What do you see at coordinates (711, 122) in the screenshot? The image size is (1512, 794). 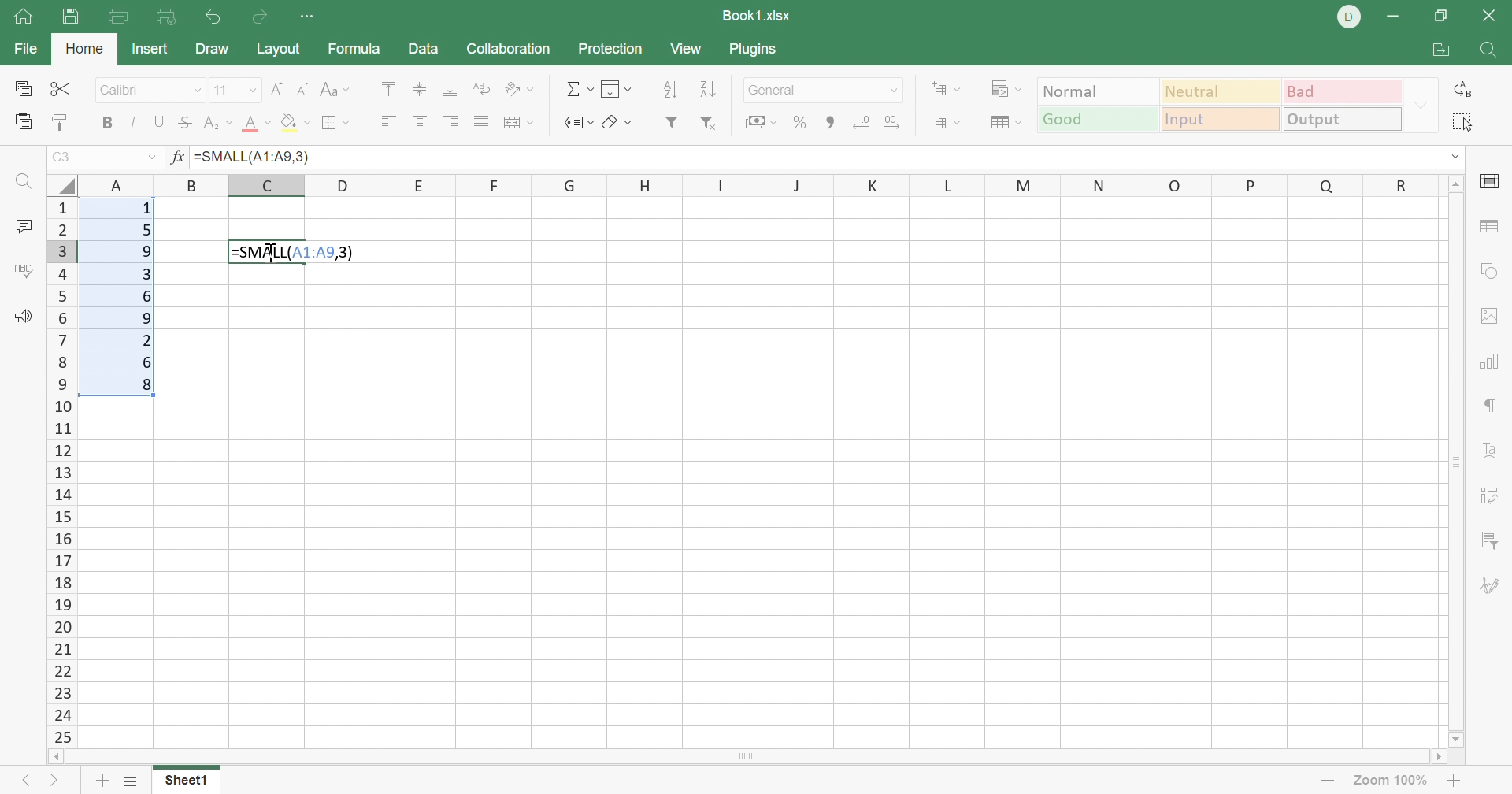 I see `Remove filter` at bounding box center [711, 122].